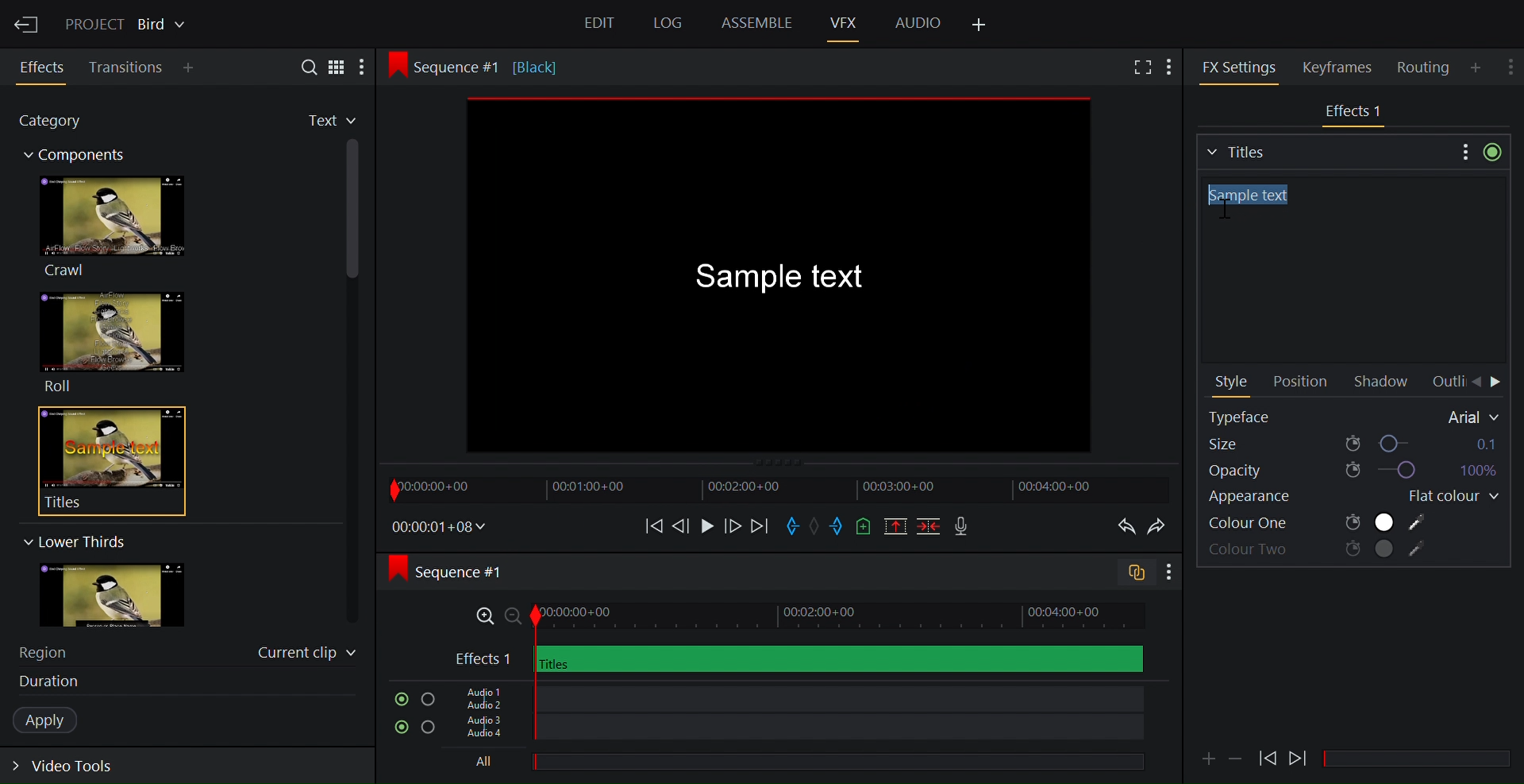 Image resolution: width=1524 pixels, height=784 pixels. What do you see at coordinates (1237, 757) in the screenshot?
I see `Minimize` at bounding box center [1237, 757].